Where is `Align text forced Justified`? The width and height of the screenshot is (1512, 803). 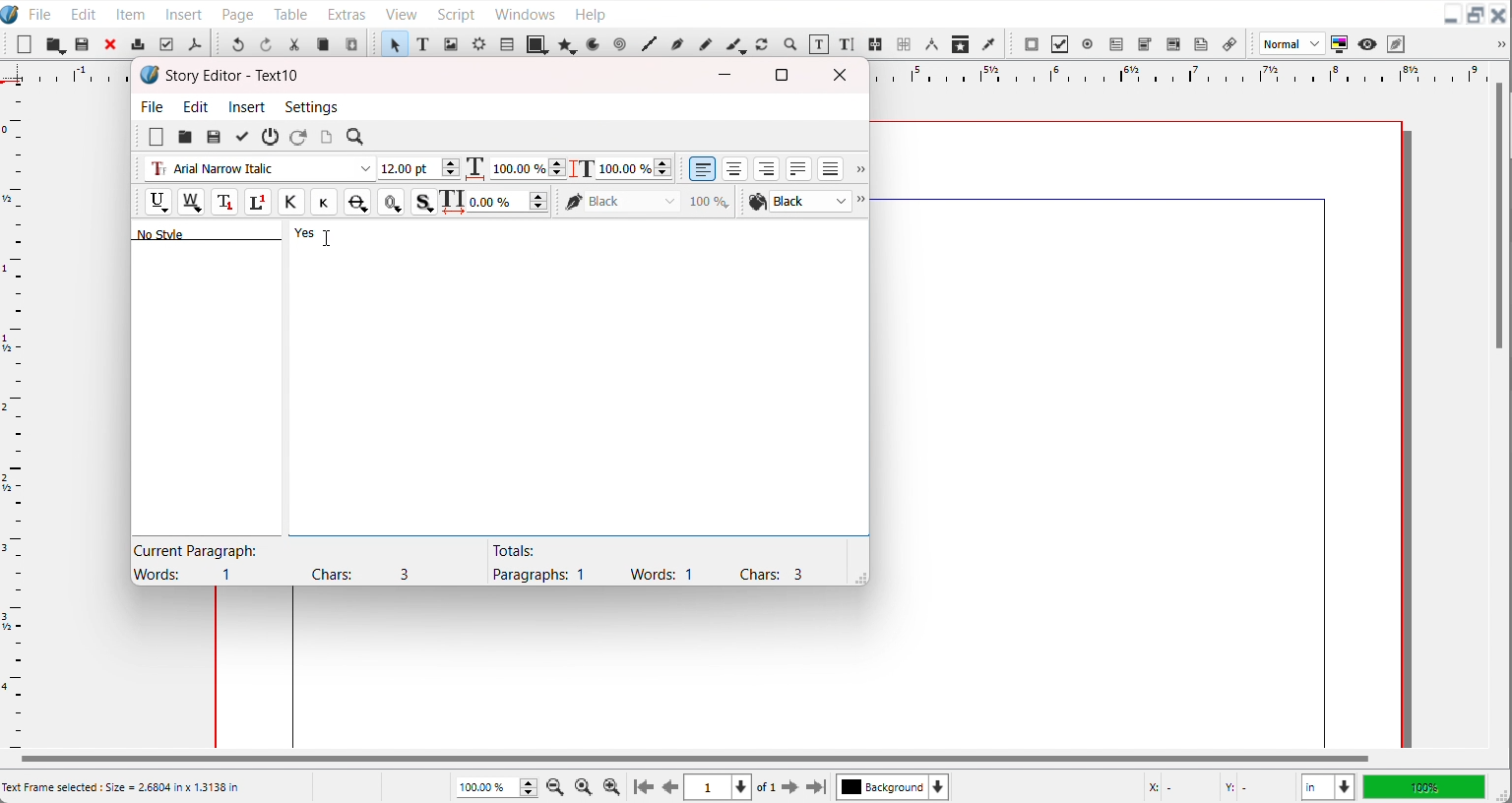
Align text forced Justified is located at coordinates (831, 168).